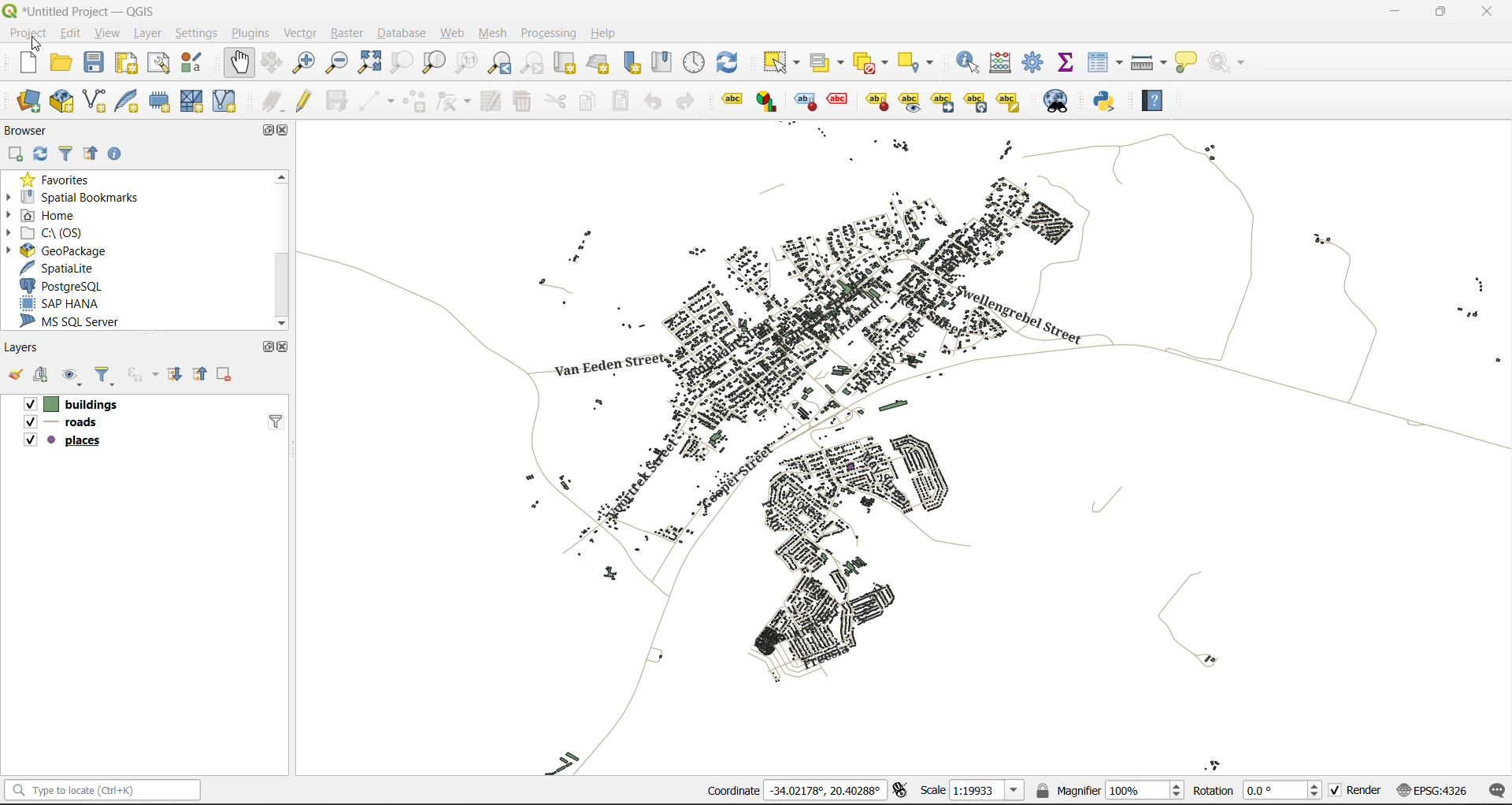  What do you see at coordinates (62, 179) in the screenshot?
I see `favorites` at bounding box center [62, 179].